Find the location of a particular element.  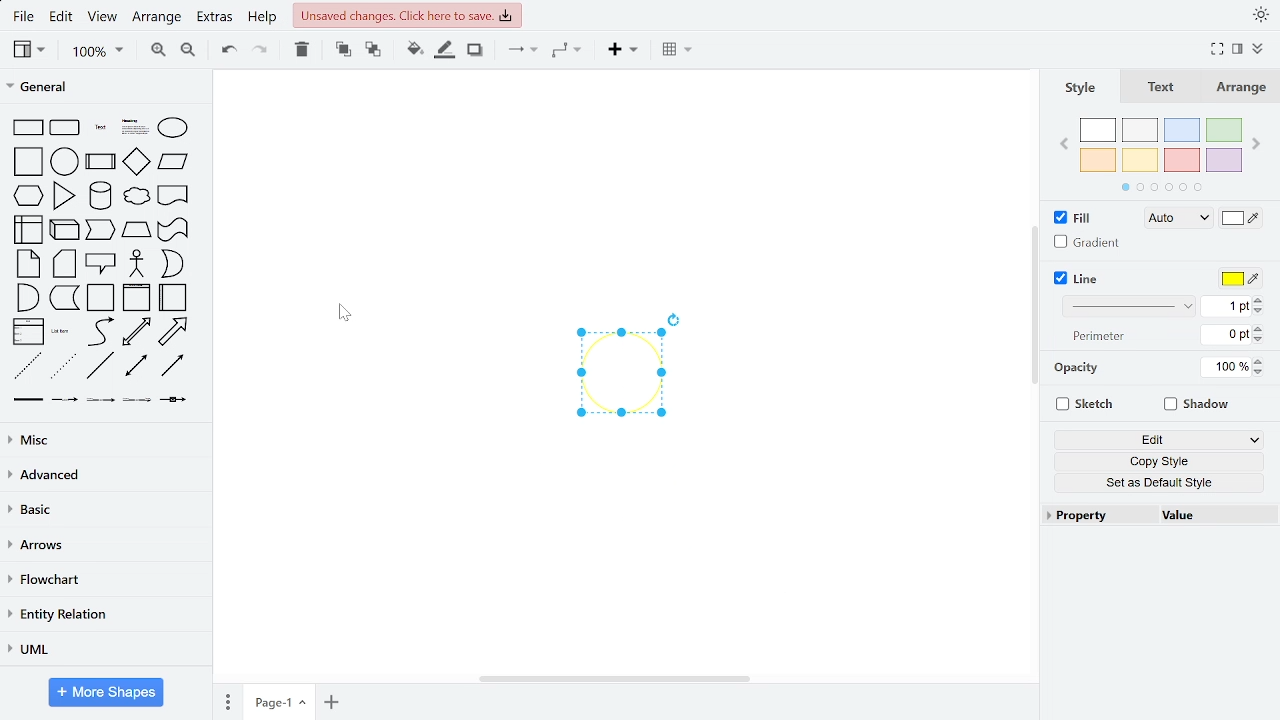

line is located at coordinates (102, 367).